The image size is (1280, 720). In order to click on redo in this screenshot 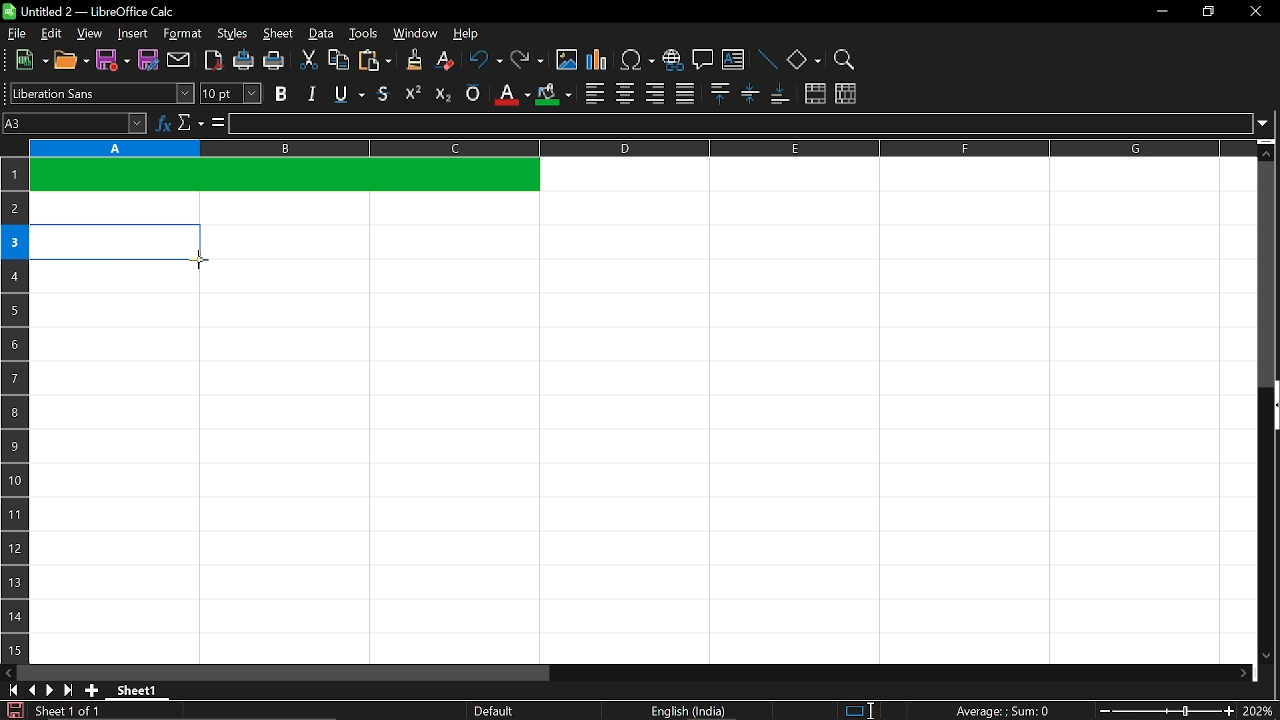, I will do `click(528, 61)`.